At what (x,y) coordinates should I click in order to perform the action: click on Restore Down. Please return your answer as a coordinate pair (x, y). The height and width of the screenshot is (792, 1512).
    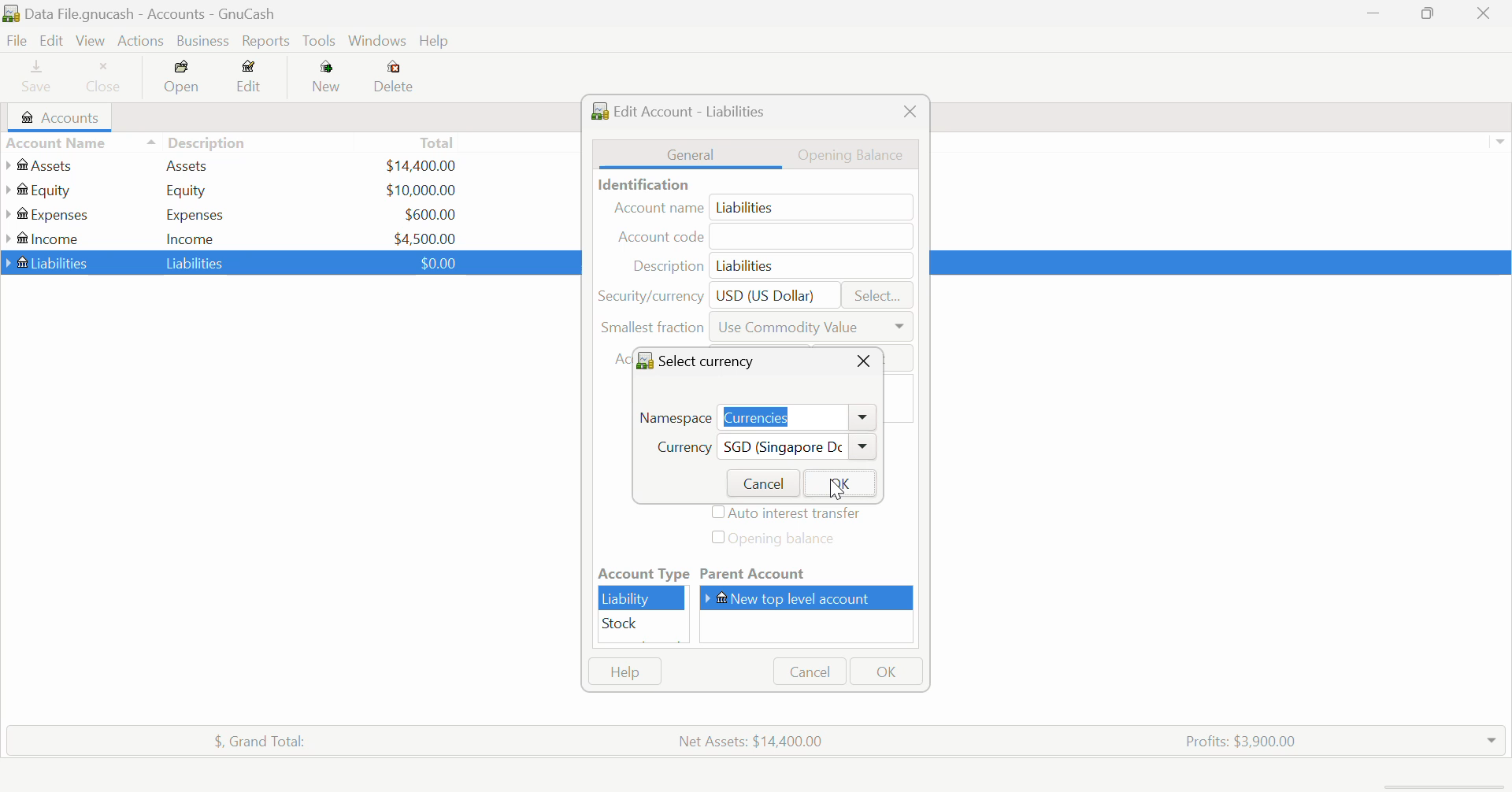
    Looking at the image, I should click on (1374, 15).